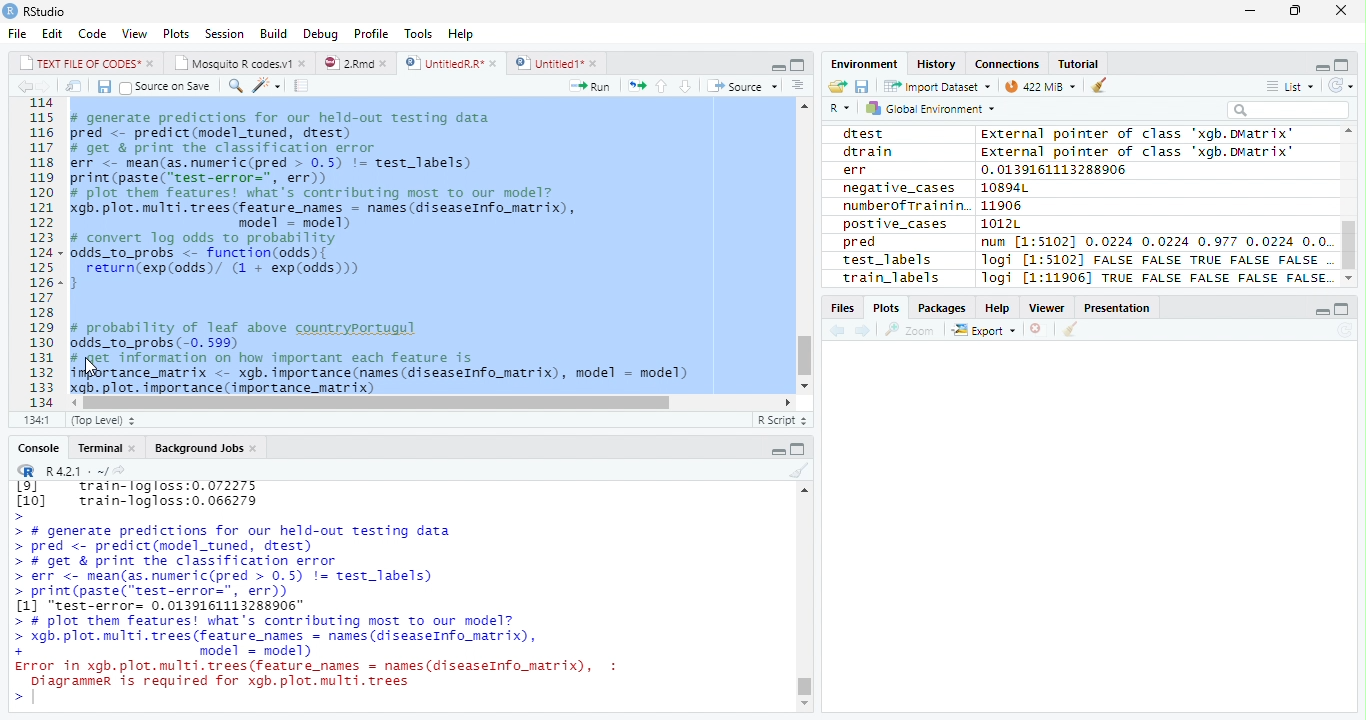 The image size is (1366, 720). What do you see at coordinates (1155, 259) in the screenshot?
I see `logi [1:5102] FALSE FALSE TRUE FALSE FALSE` at bounding box center [1155, 259].